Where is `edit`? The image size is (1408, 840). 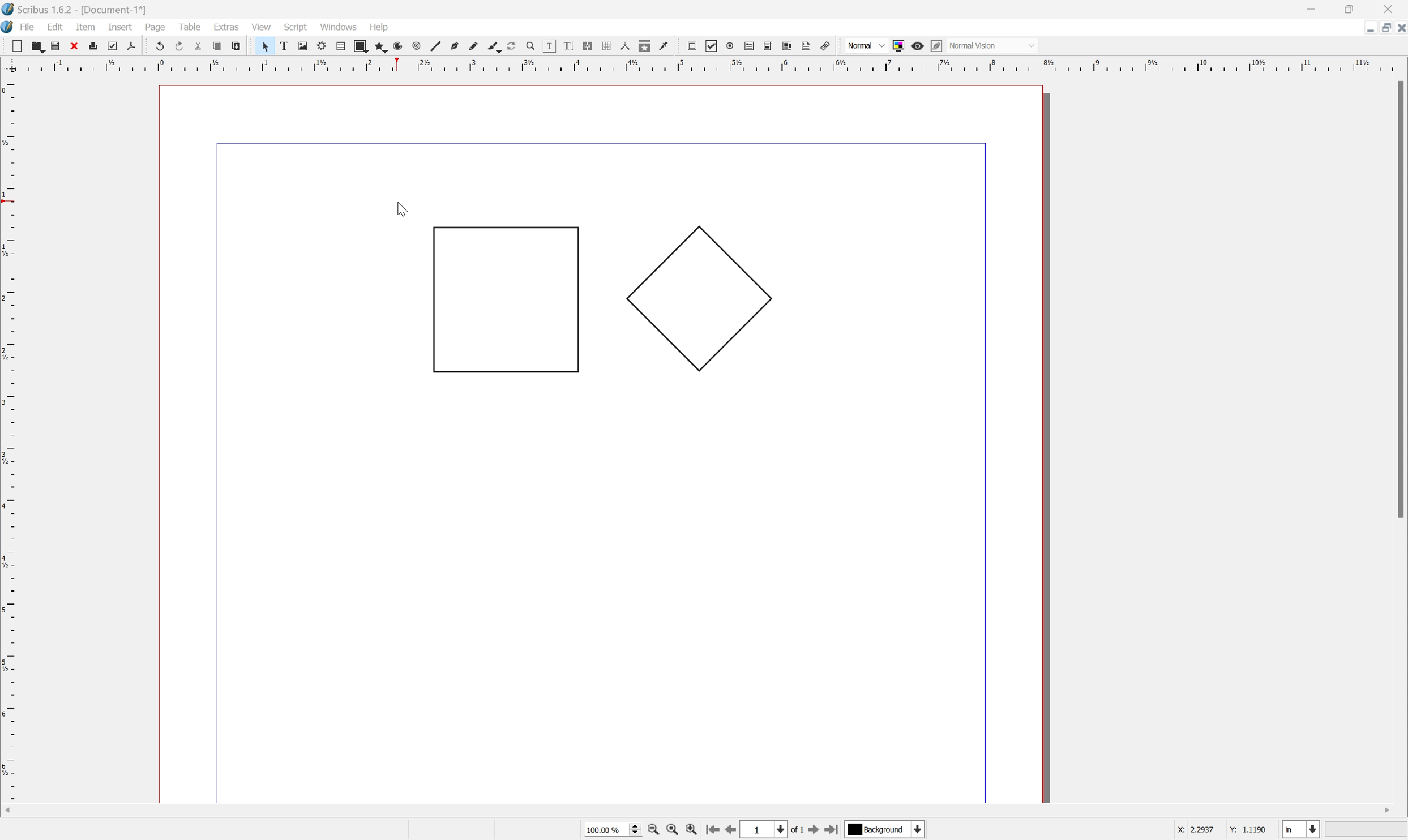 edit is located at coordinates (57, 27).